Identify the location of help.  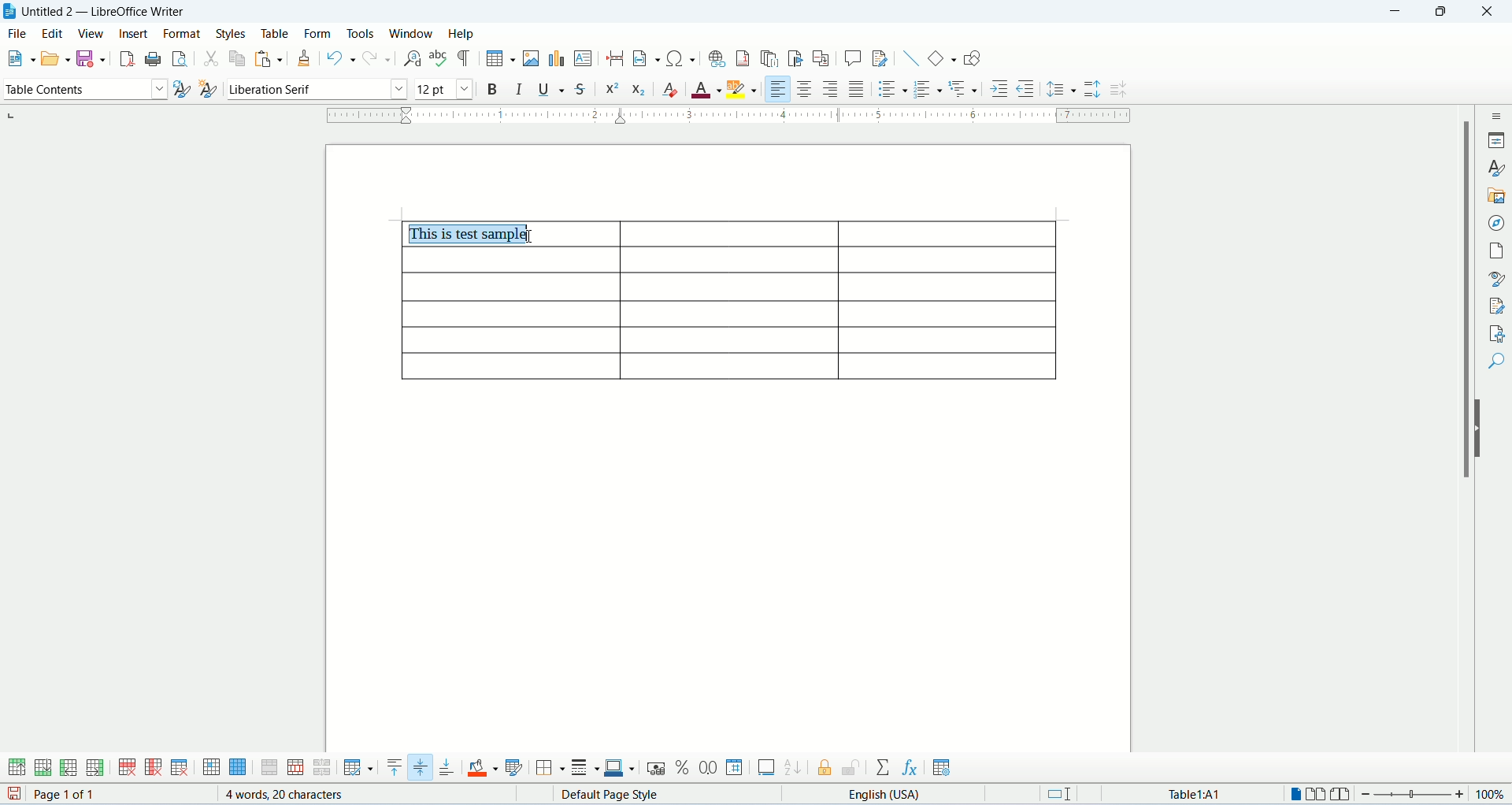
(461, 34).